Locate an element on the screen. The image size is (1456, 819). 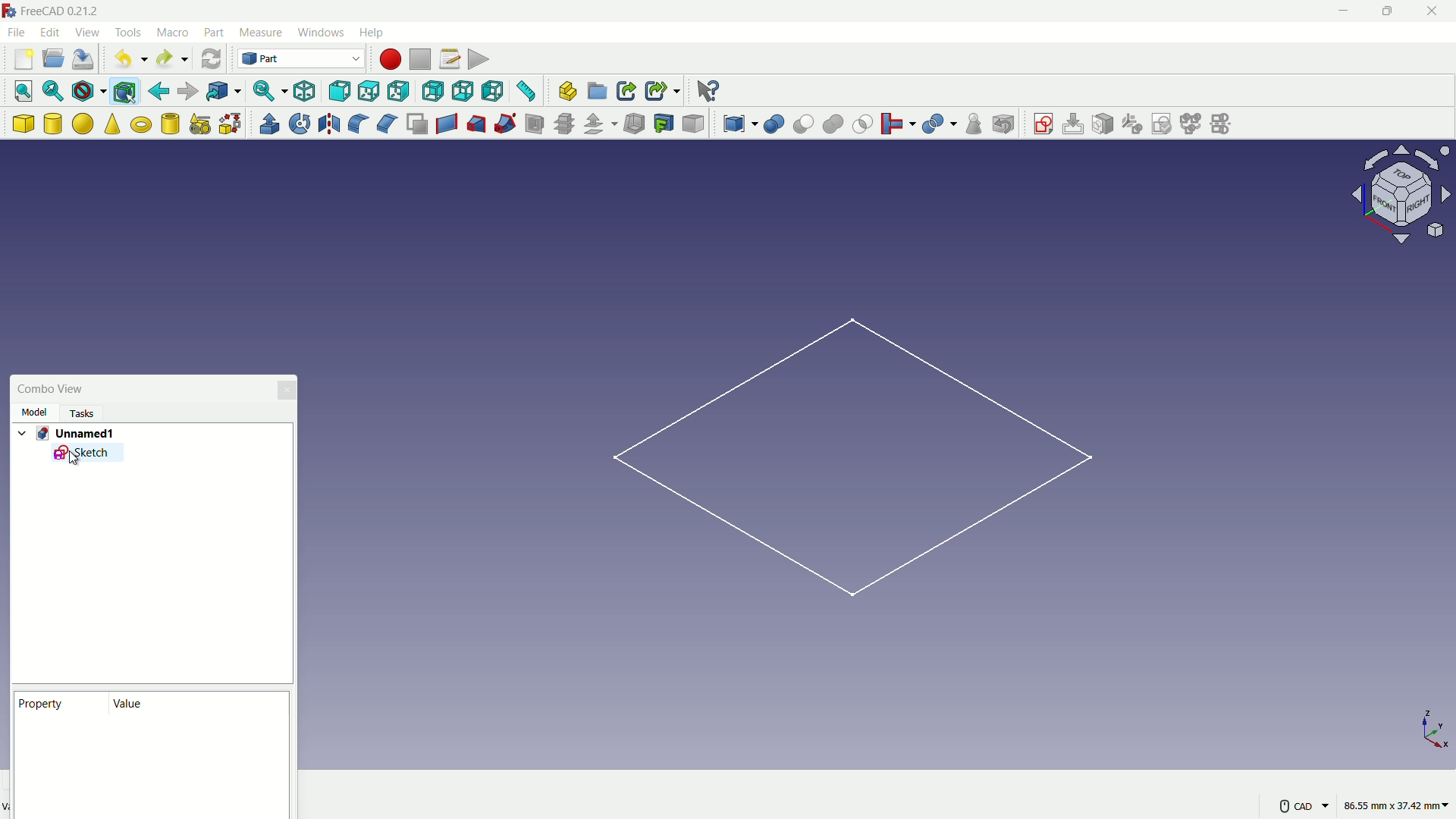
front view is located at coordinates (339, 90).